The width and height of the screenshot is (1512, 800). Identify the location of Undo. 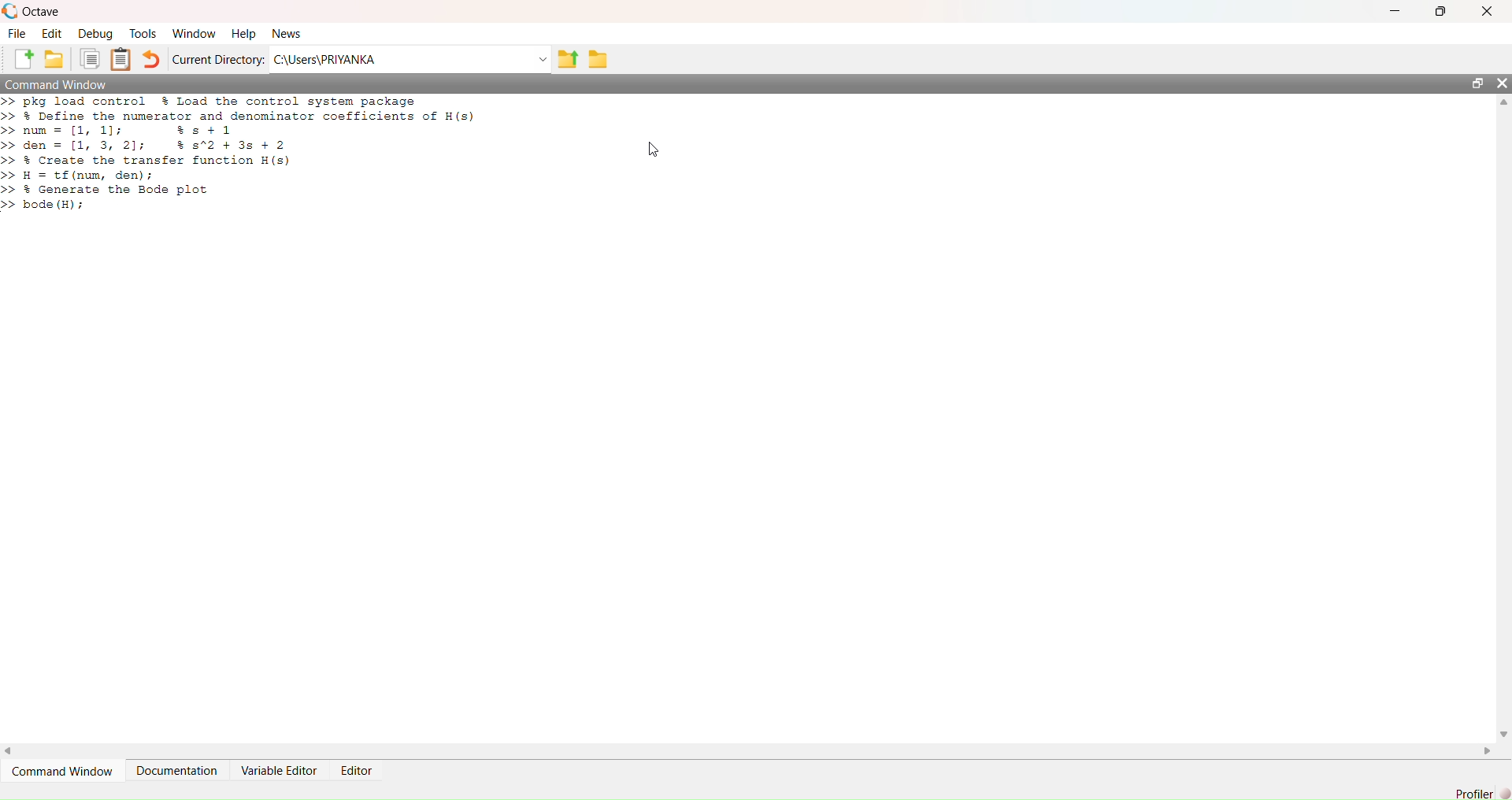
(151, 59).